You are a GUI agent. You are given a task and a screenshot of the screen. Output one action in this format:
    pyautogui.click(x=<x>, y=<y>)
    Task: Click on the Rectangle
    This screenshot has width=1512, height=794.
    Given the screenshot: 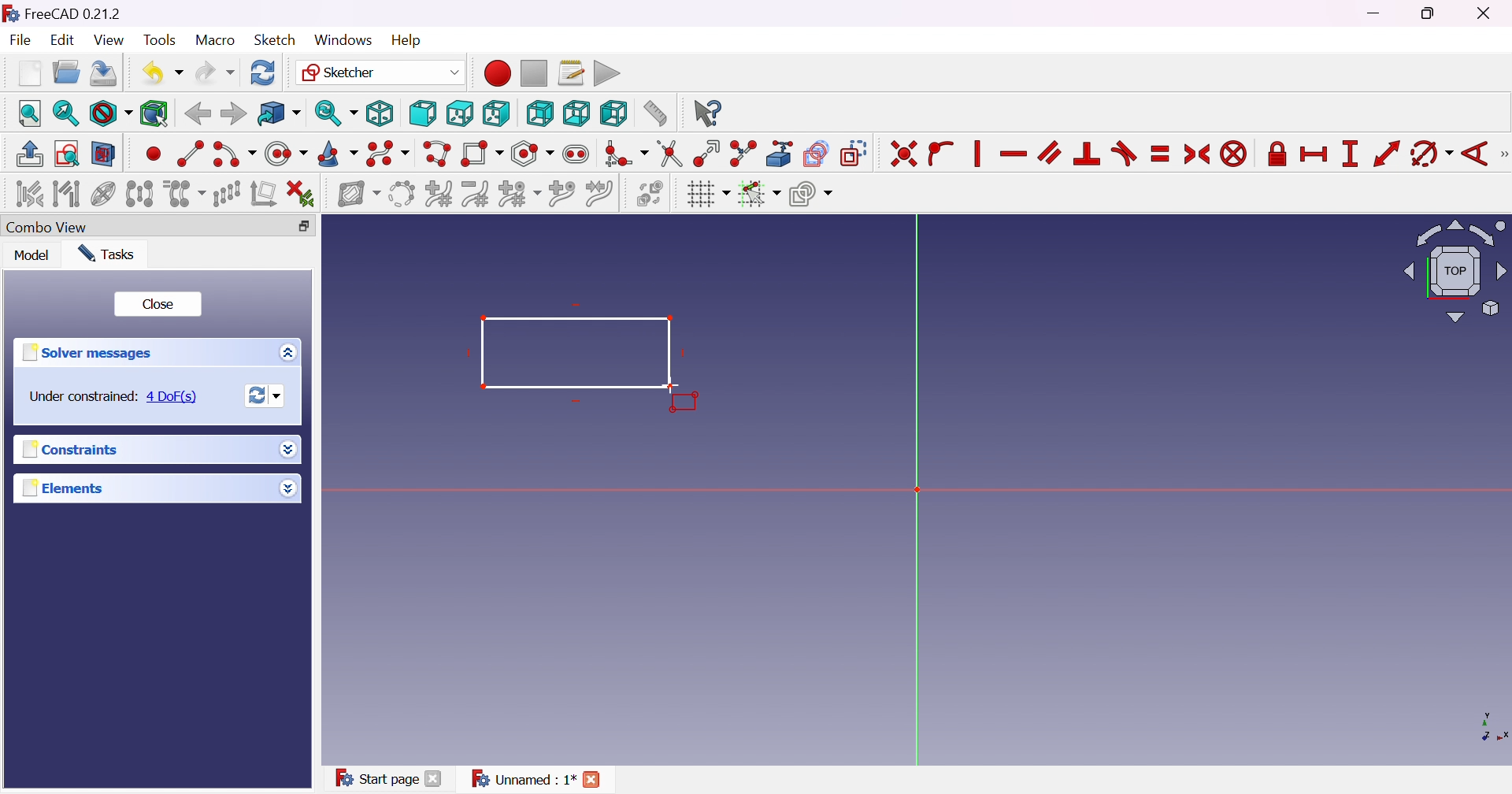 What is the action you would take?
    pyautogui.click(x=566, y=352)
    